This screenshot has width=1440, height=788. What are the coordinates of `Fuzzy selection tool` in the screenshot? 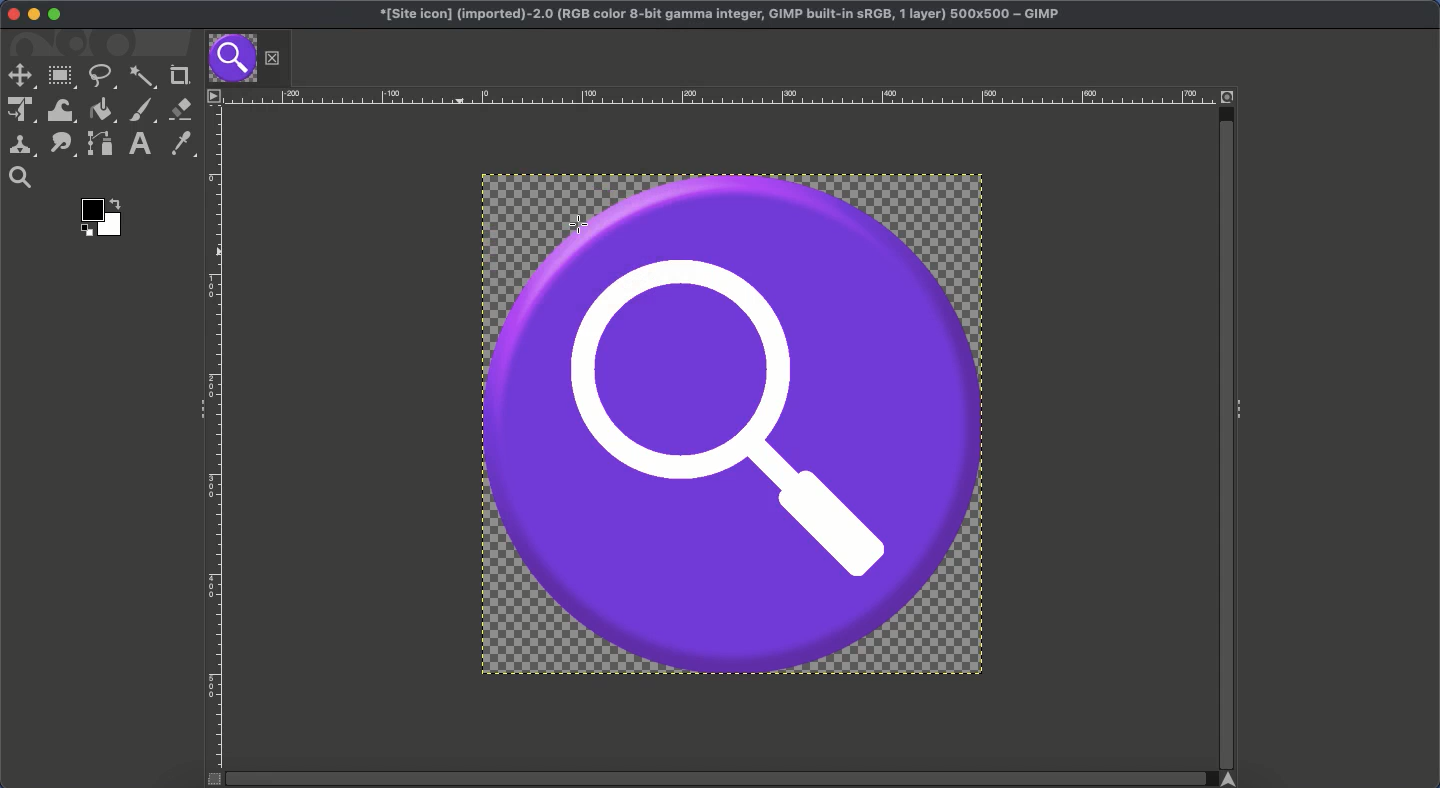 It's located at (143, 79).